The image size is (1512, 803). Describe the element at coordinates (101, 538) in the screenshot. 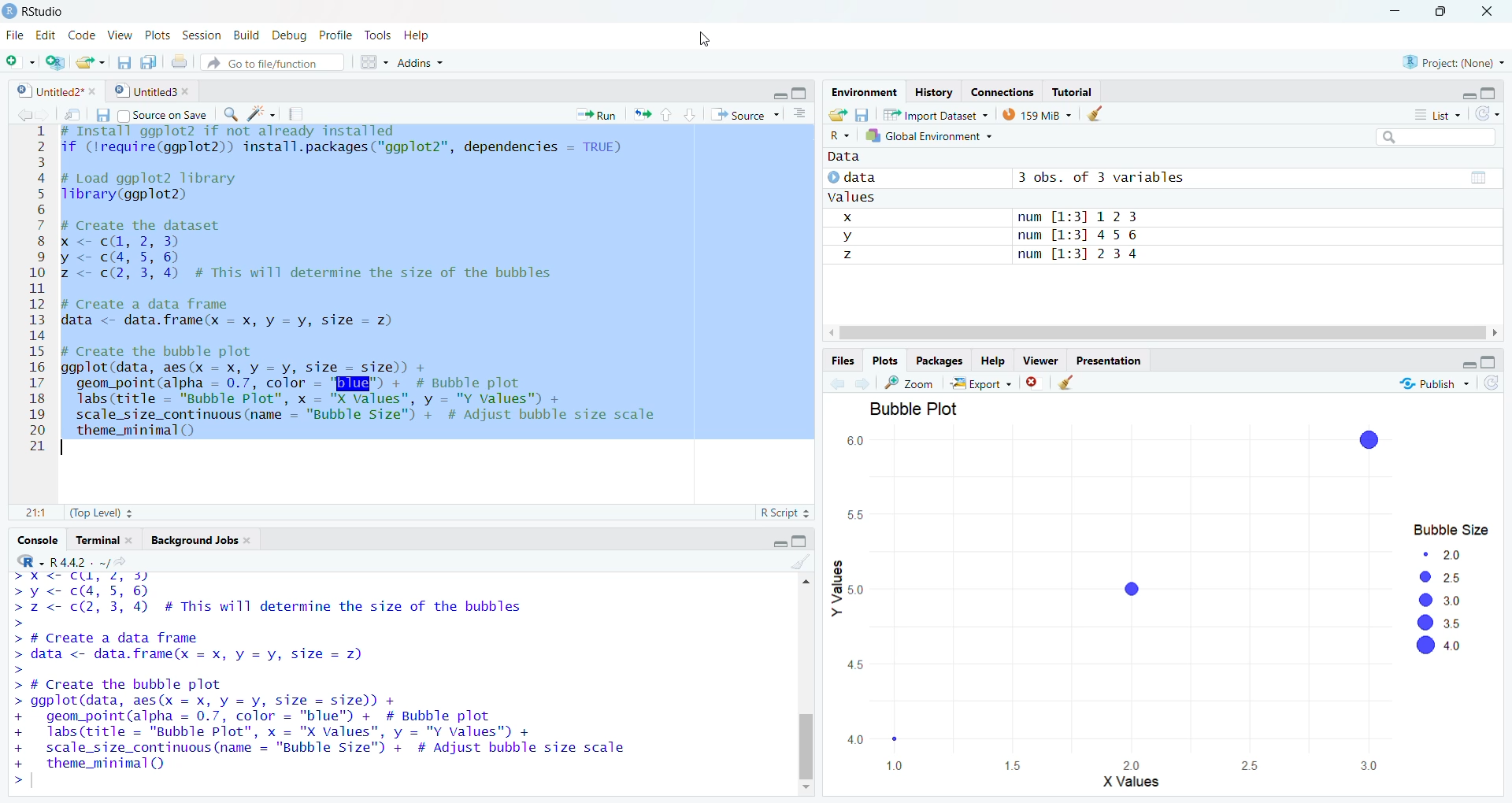

I see `Terminal` at that location.